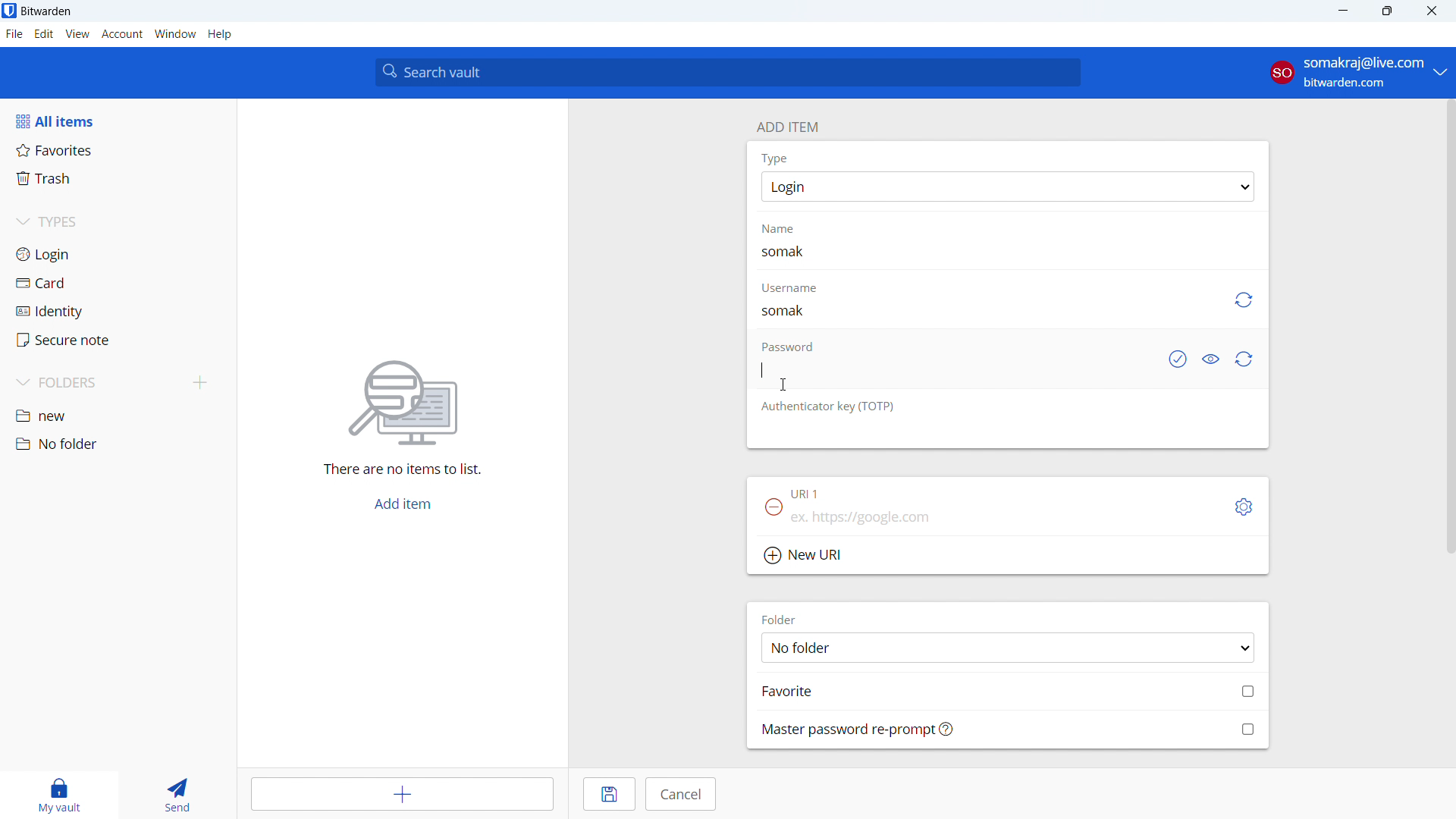 This screenshot has width=1456, height=819. Describe the element at coordinates (1007, 521) in the screenshot. I see `add url` at that location.